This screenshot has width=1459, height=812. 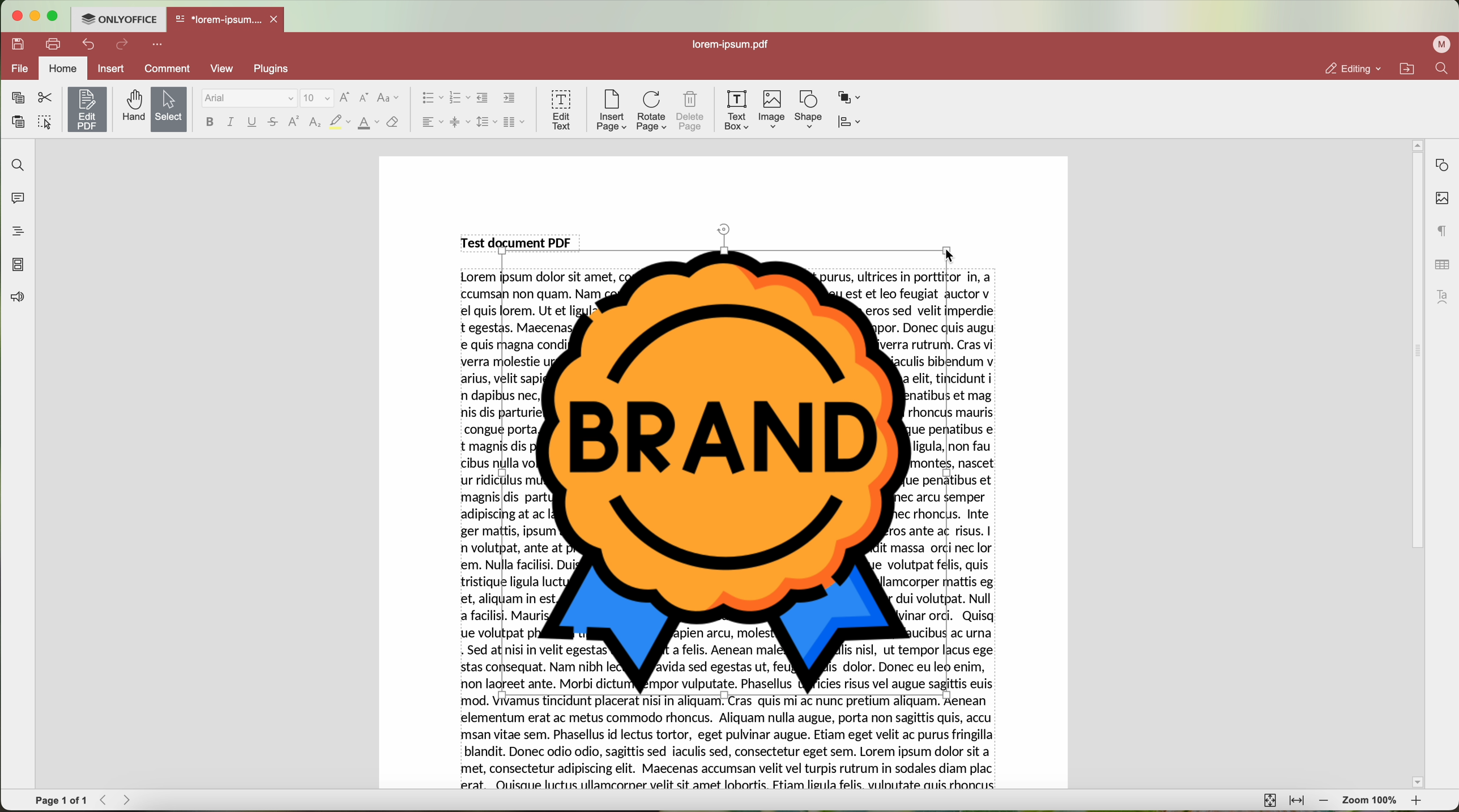 I want to click on file, so click(x=18, y=70).